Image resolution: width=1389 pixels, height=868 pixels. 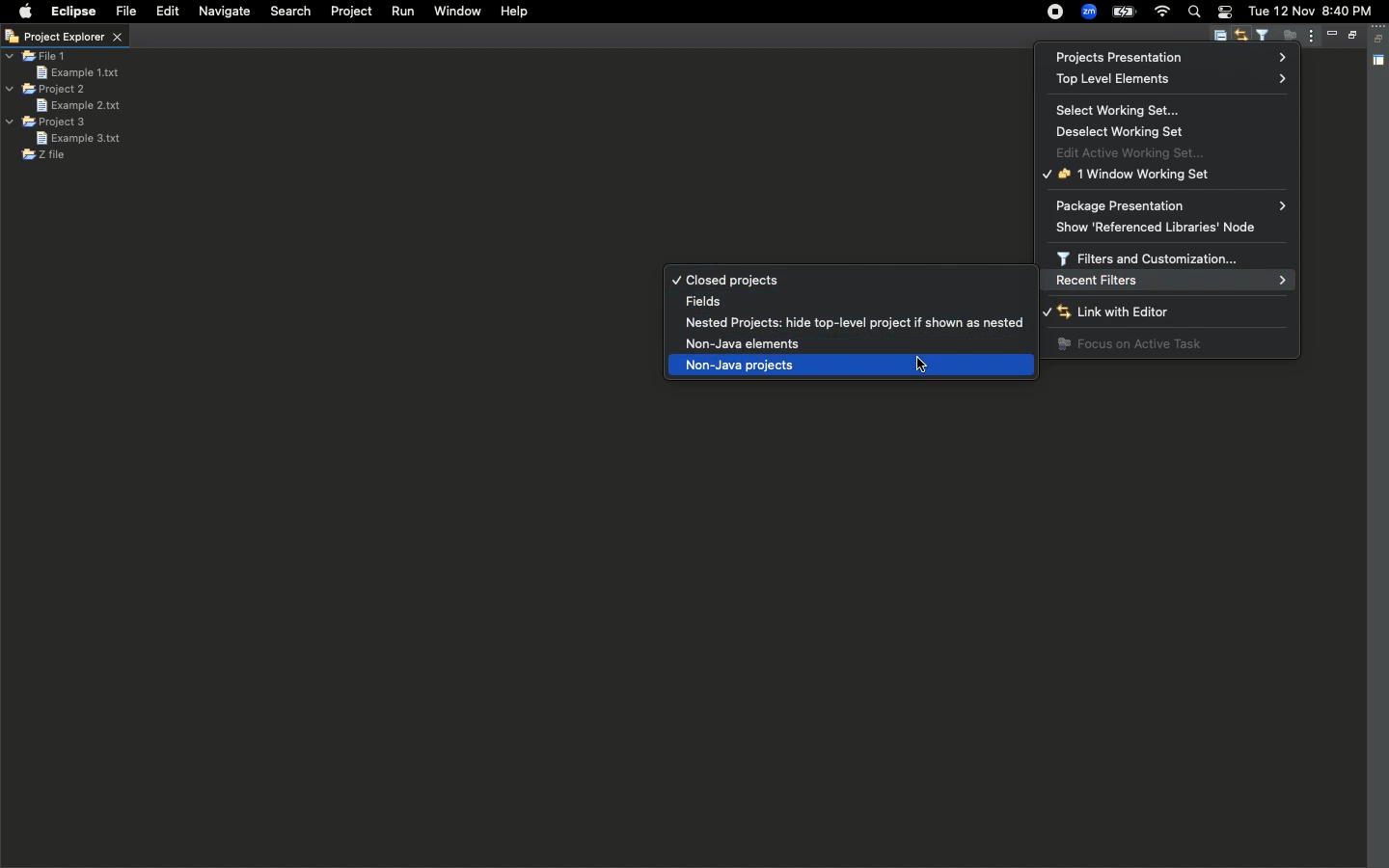 What do you see at coordinates (77, 105) in the screenshot?
I see `Example 2 text file` at bounding box center [77, 105].